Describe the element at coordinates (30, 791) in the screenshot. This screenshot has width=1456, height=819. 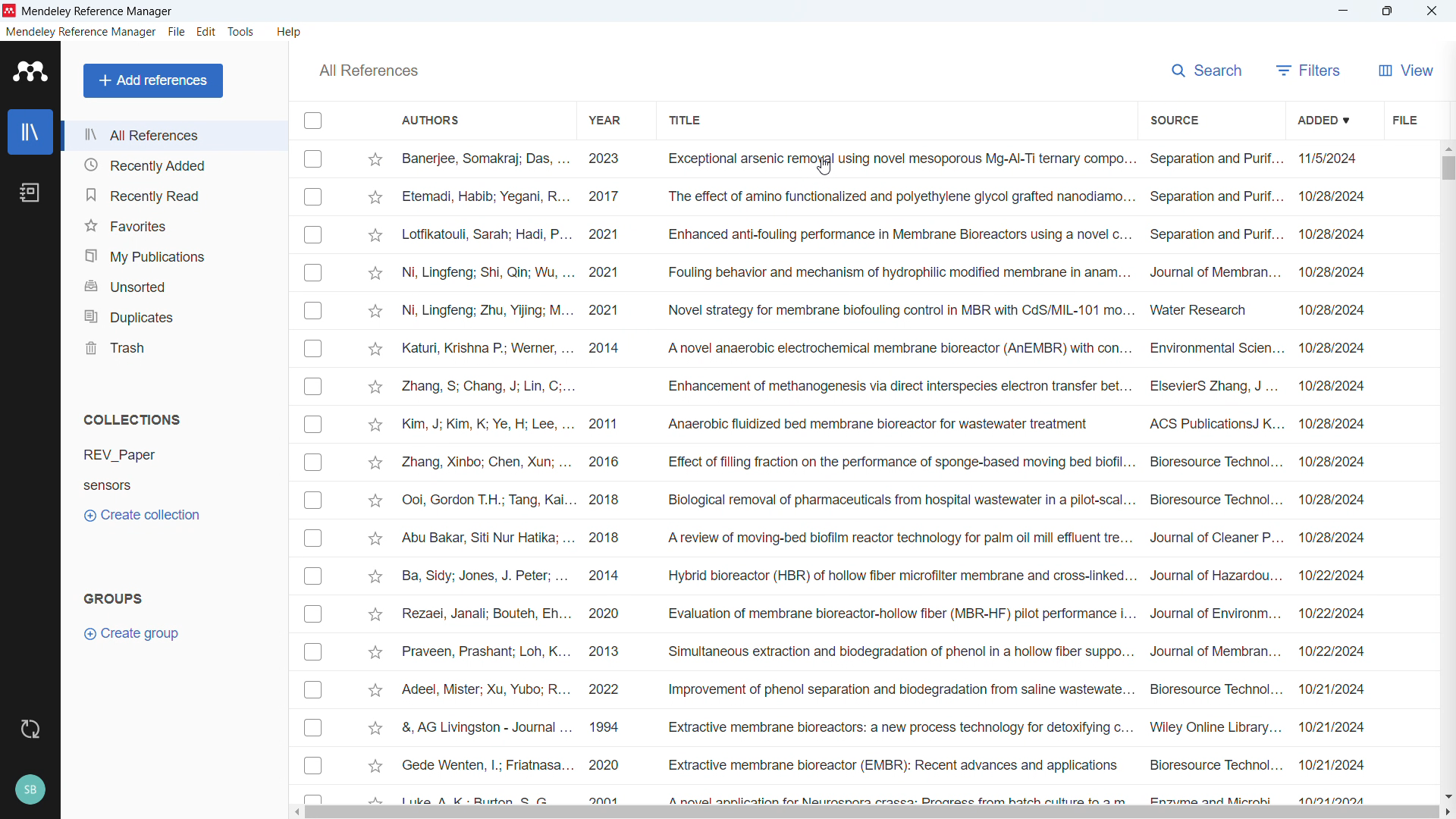
I see `profile` at that location.